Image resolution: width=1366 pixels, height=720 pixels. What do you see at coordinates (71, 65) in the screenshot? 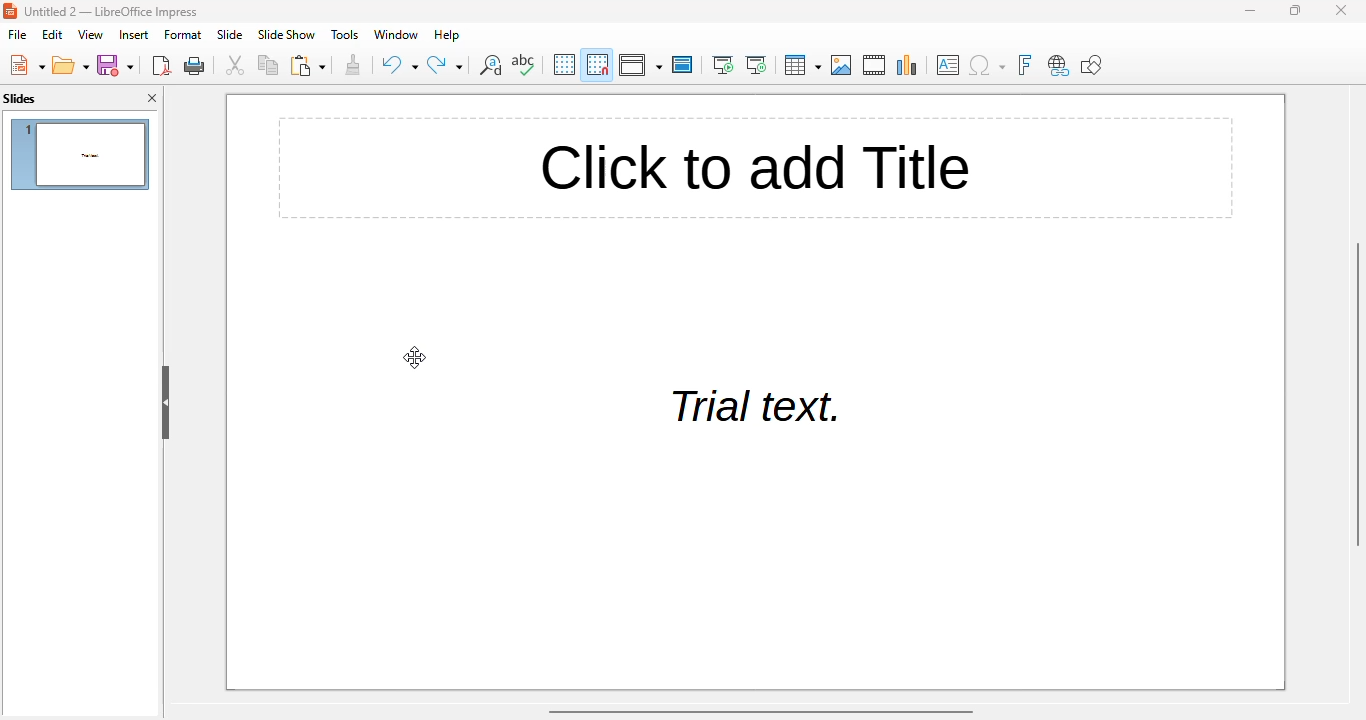
I see `open` at bounding box center [71, 65].